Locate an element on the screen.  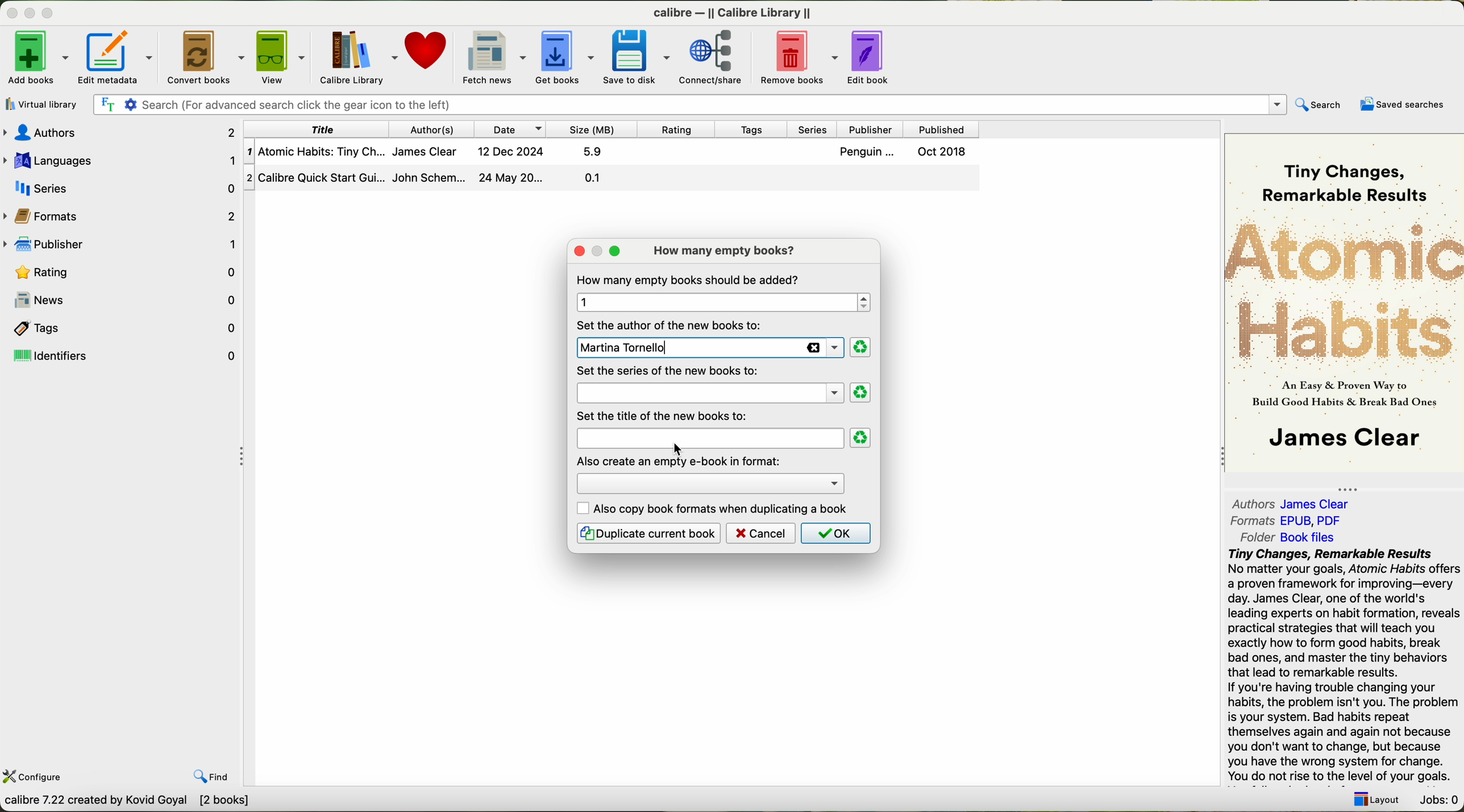
published is located at coordinates (945, 128).